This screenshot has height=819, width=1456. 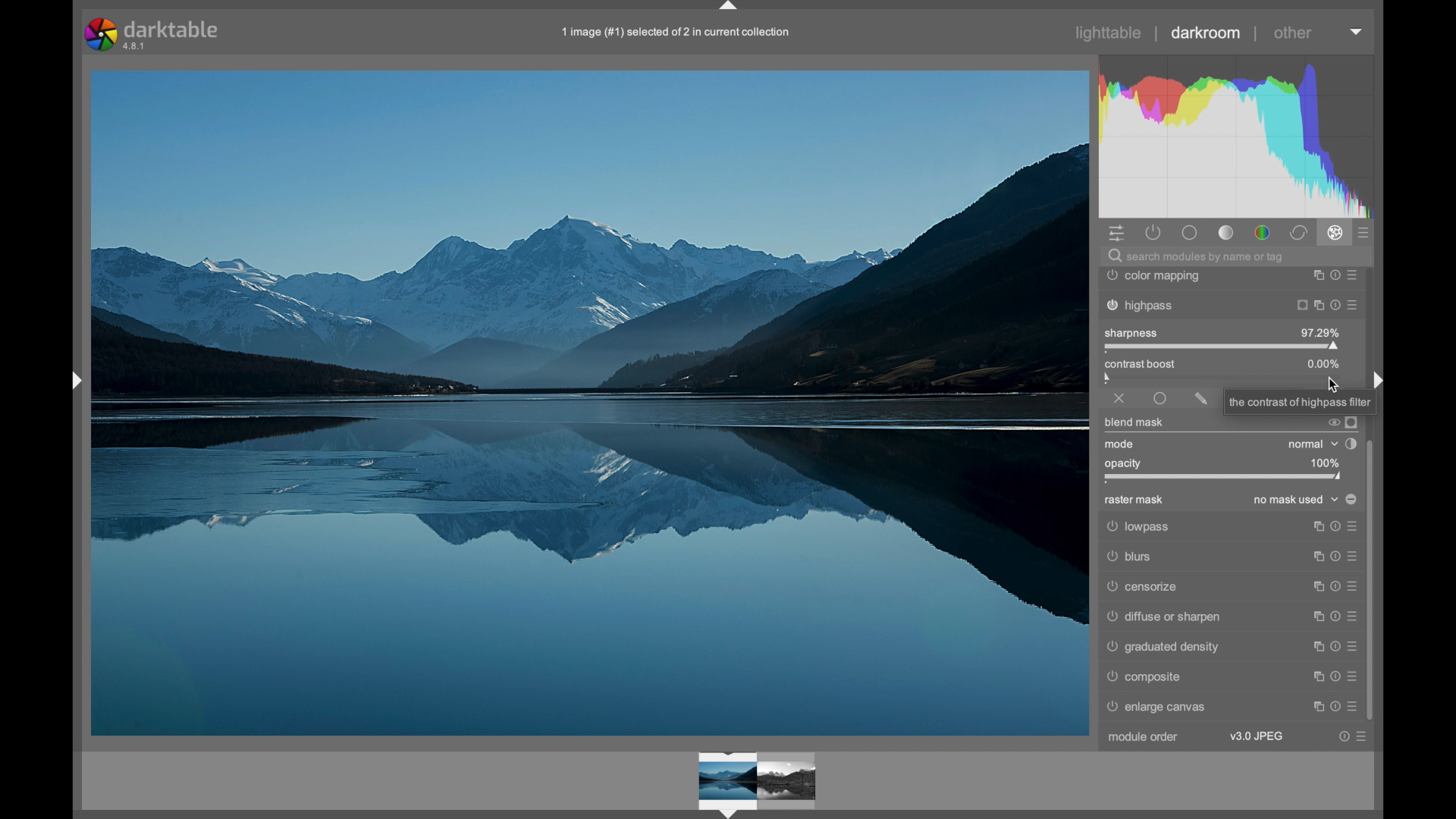 What do you see at coordinates (763, 780) in the screenshot?
I see `preview image` at bounding box center [763, 780].